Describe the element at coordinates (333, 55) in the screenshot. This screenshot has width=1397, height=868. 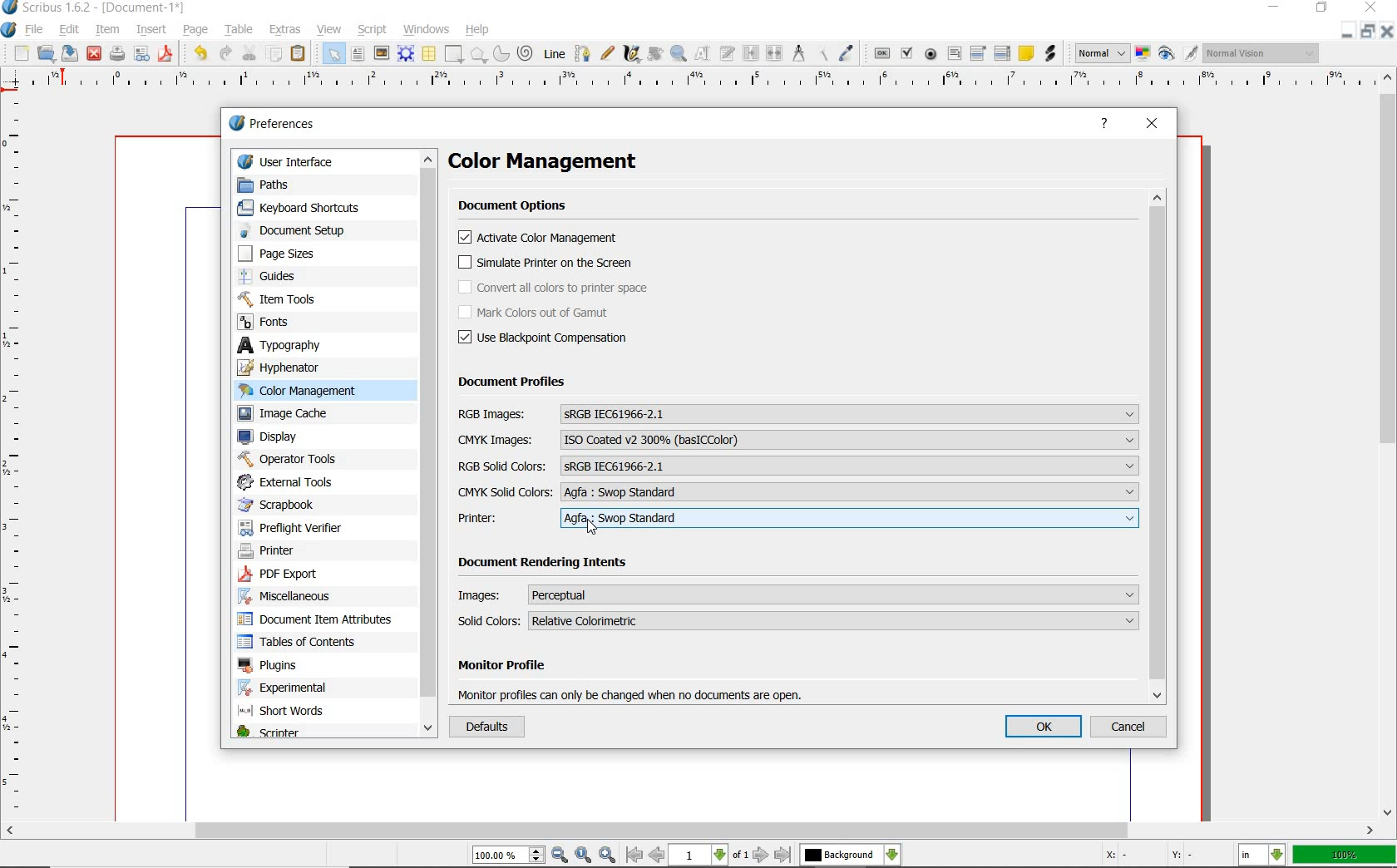
I see `select` at that location.